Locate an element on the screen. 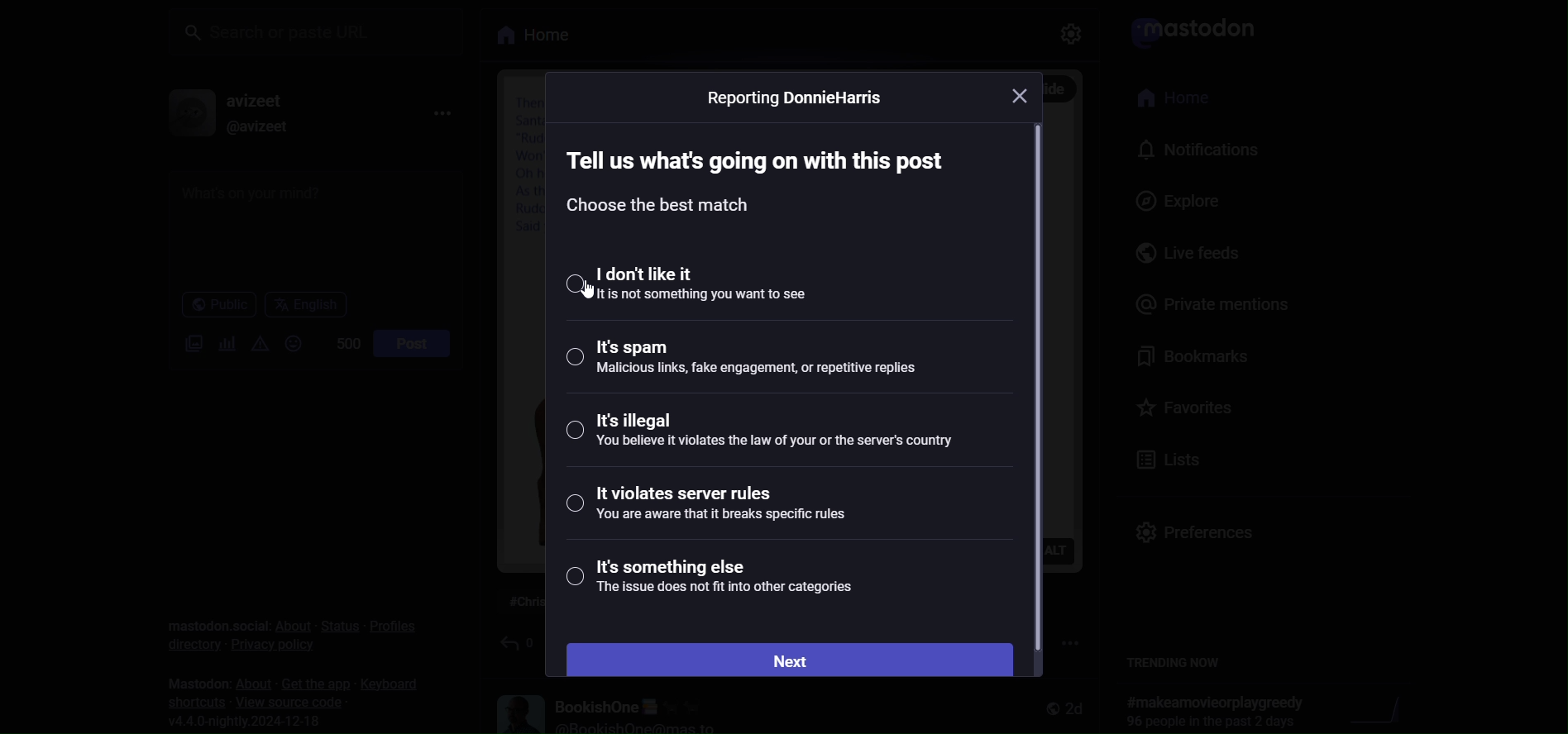 This screenshot has width=1568, height=734. Tell us what's going on with this post is located at coordinates (763, 155).